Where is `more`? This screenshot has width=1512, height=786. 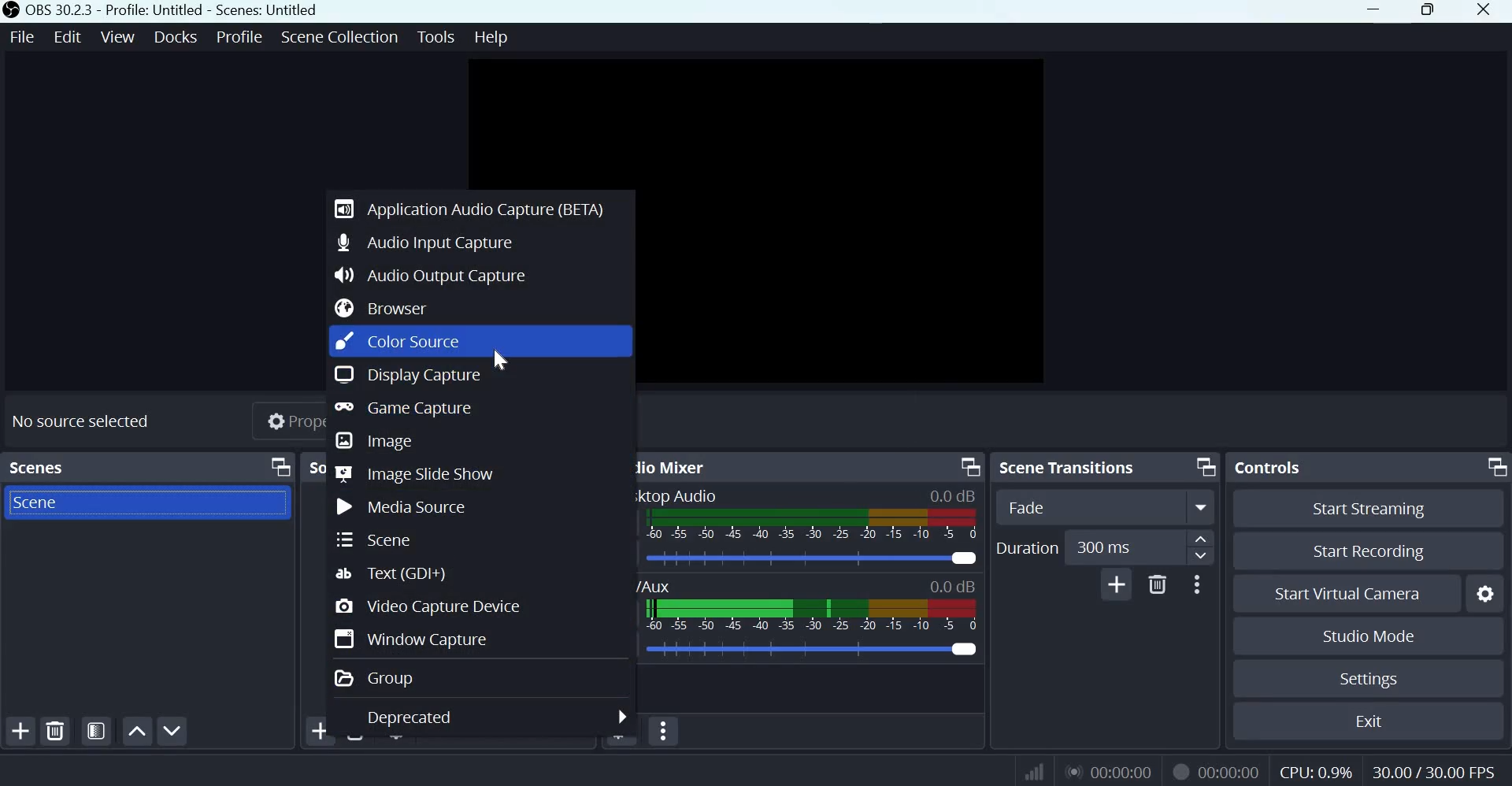
more is located at coordinates (621, 716).